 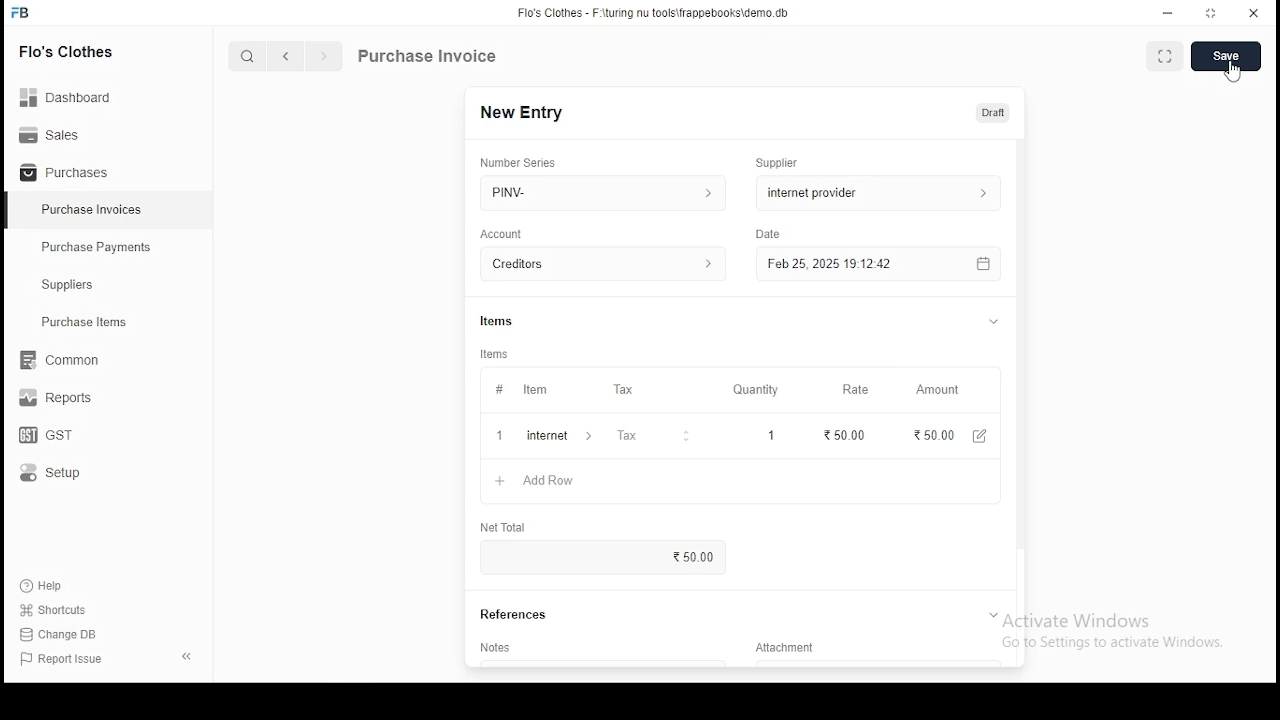 What do you see at coordinates (998, 322) in the screenshot?
I see `tab` at bounding box center [998, 322].